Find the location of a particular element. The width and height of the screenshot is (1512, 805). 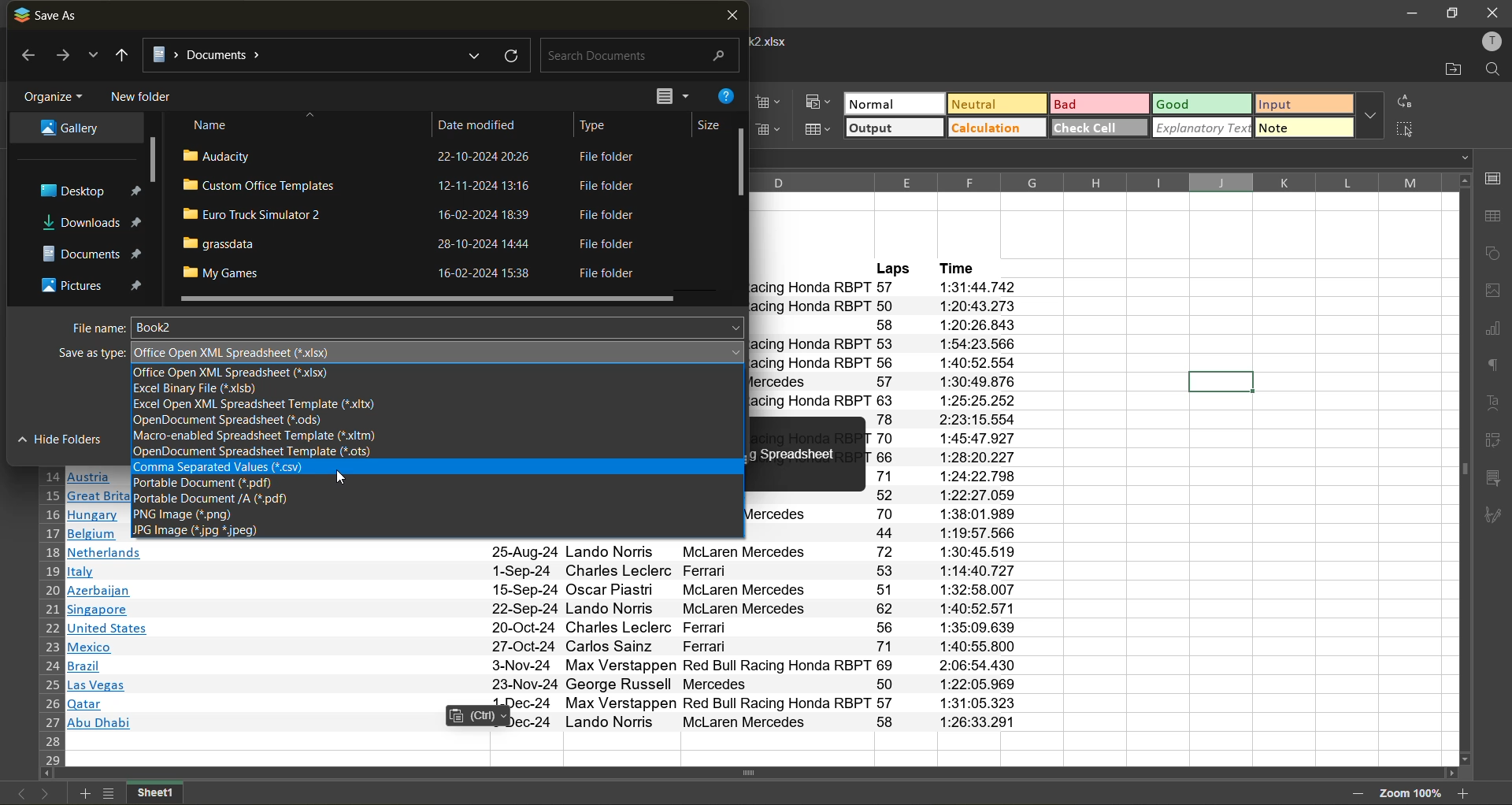

shapes is located at coordinates (1494, 257).